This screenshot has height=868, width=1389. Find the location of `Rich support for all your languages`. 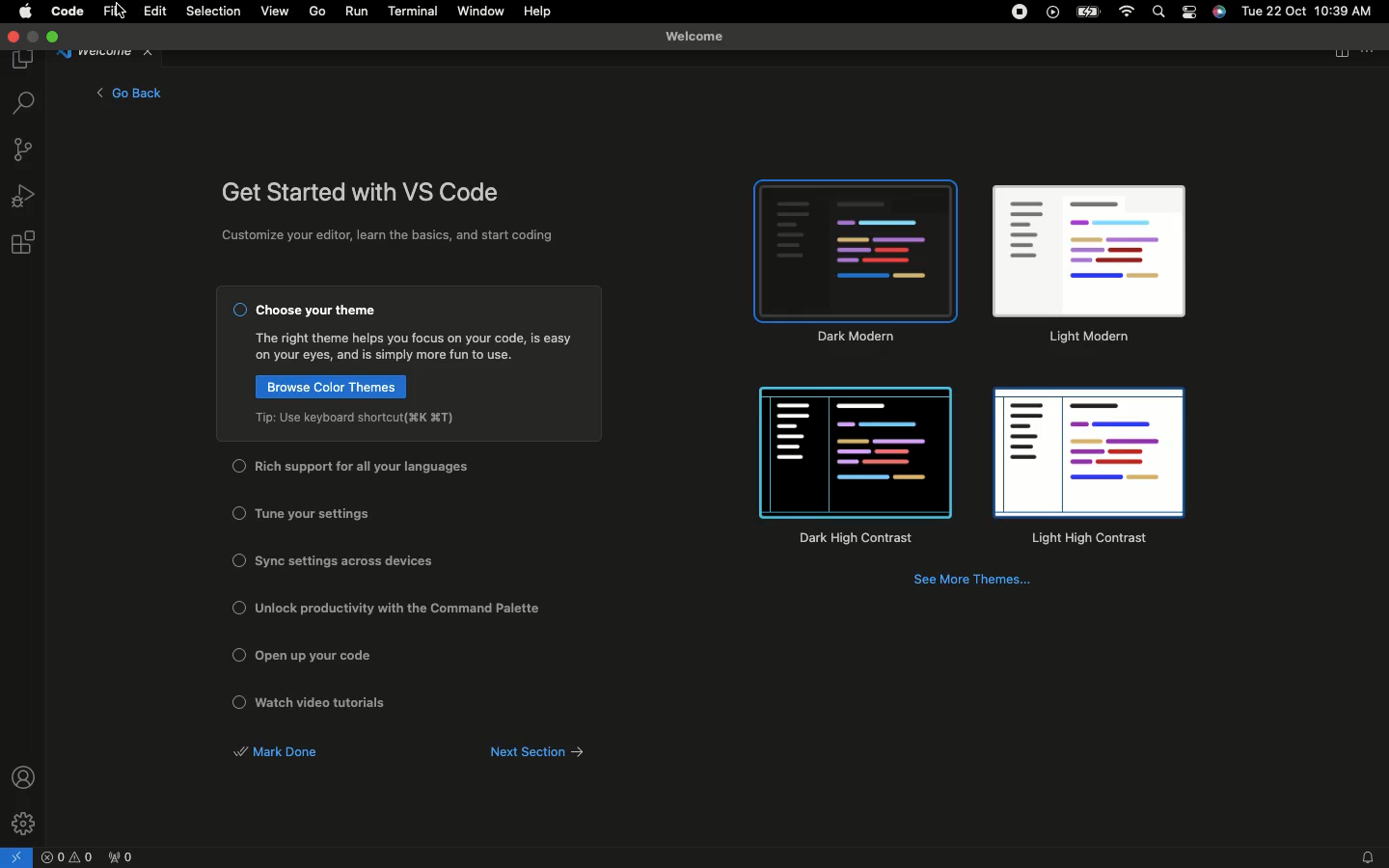

Rich support for all your languages is located at coordinates (370, 467).